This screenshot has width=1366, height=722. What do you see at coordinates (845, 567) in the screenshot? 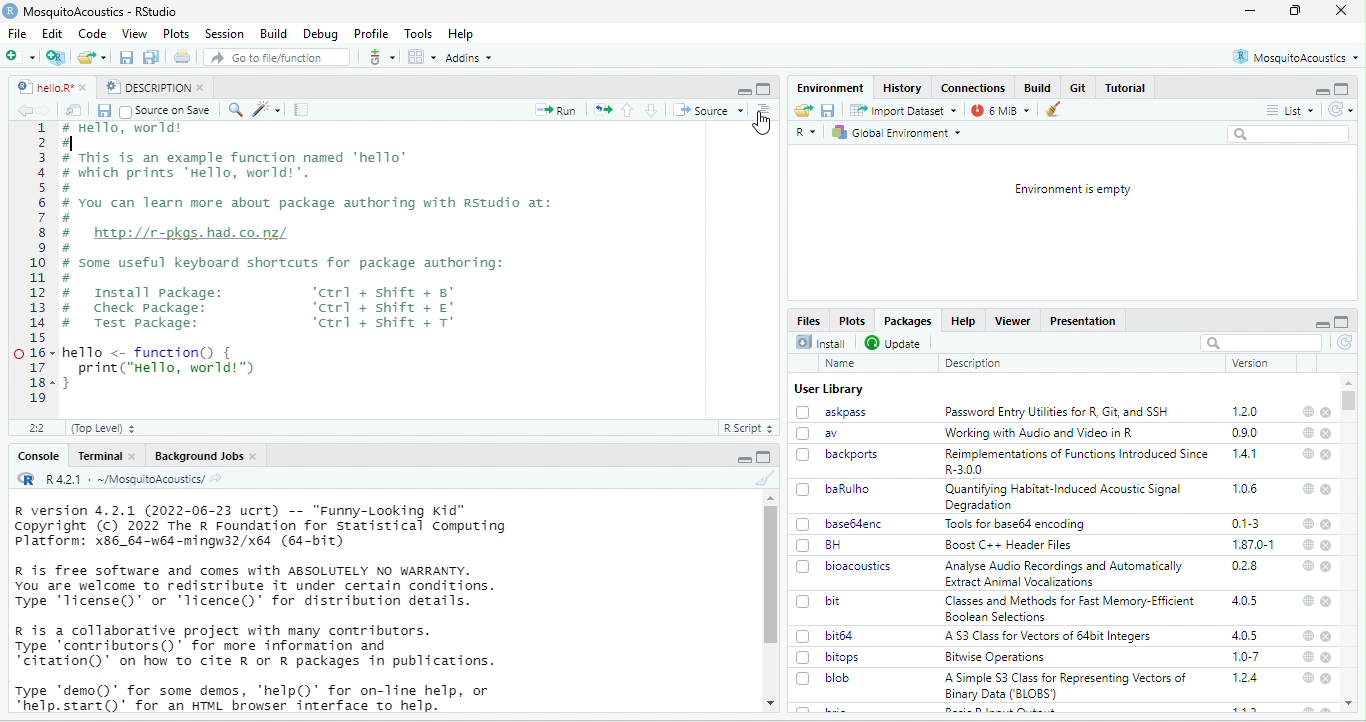
I see `bioacoustics` at bounding box center [845, 567].